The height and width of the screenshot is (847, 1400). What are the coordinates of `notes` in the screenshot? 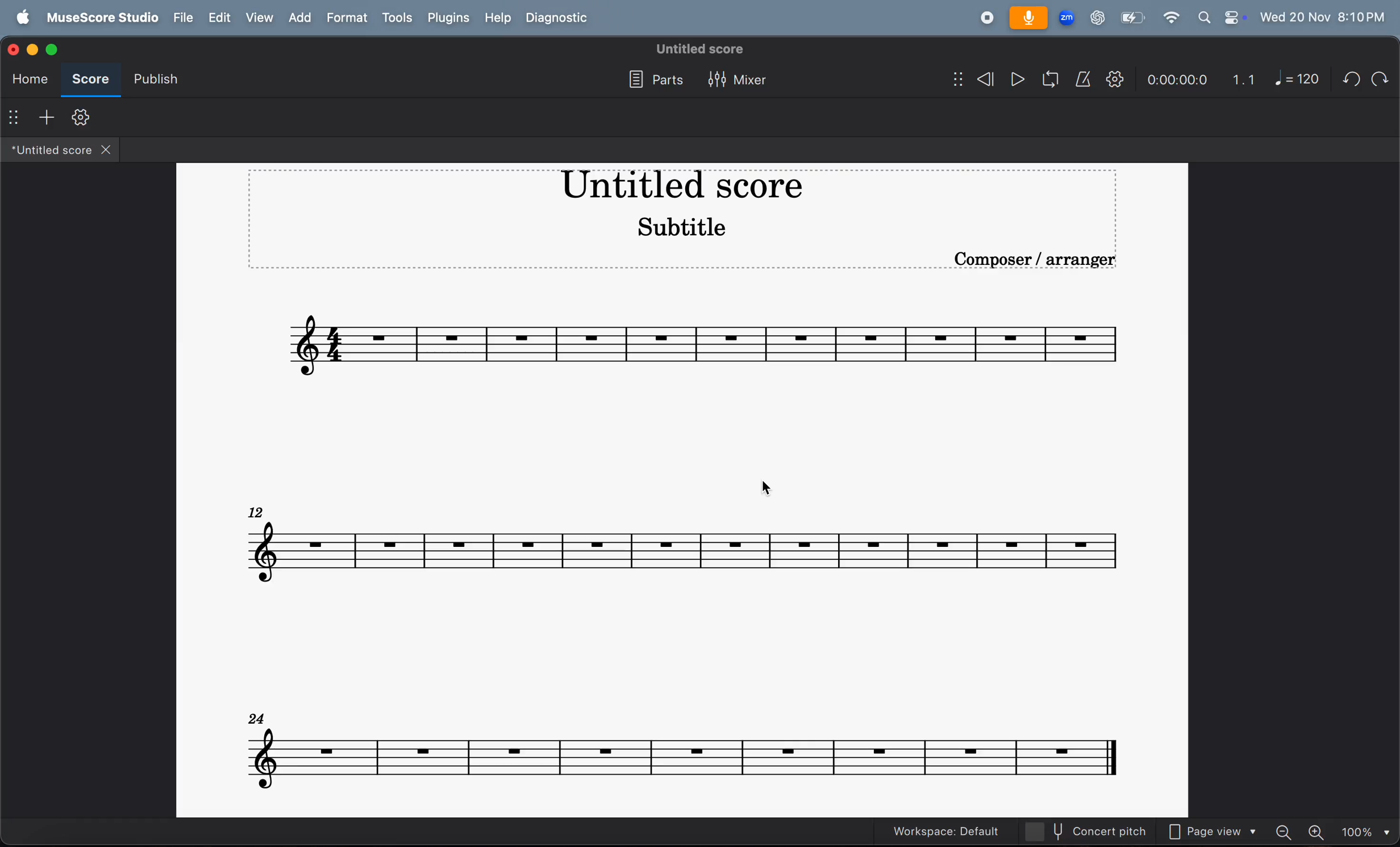 It's located at (685, 551).